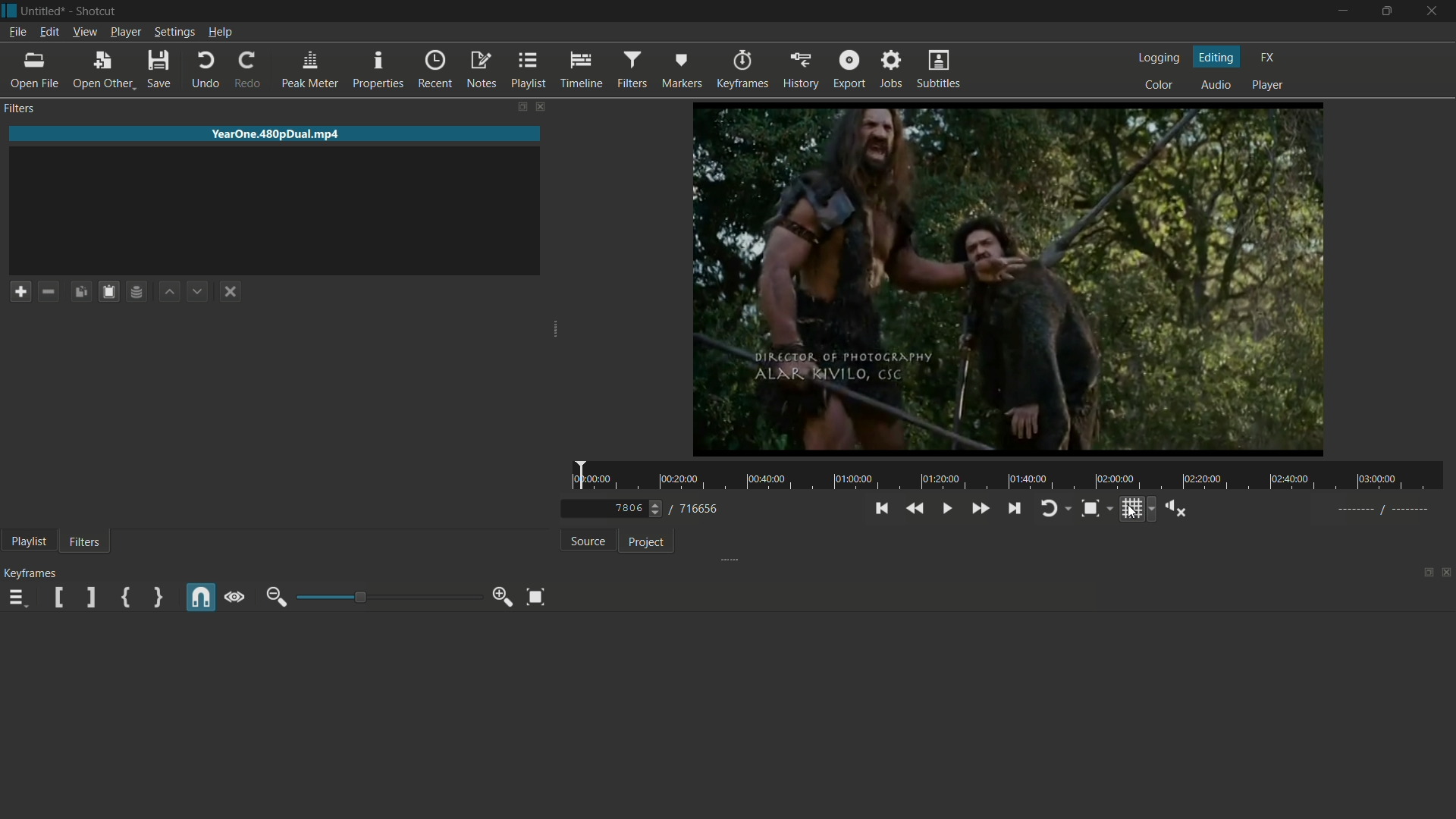 Image resolution: width=1456 pixels, height=819 pixels. Describe the element at coordinates (85, 33) in the screenshot. I see `view menu` at that location.